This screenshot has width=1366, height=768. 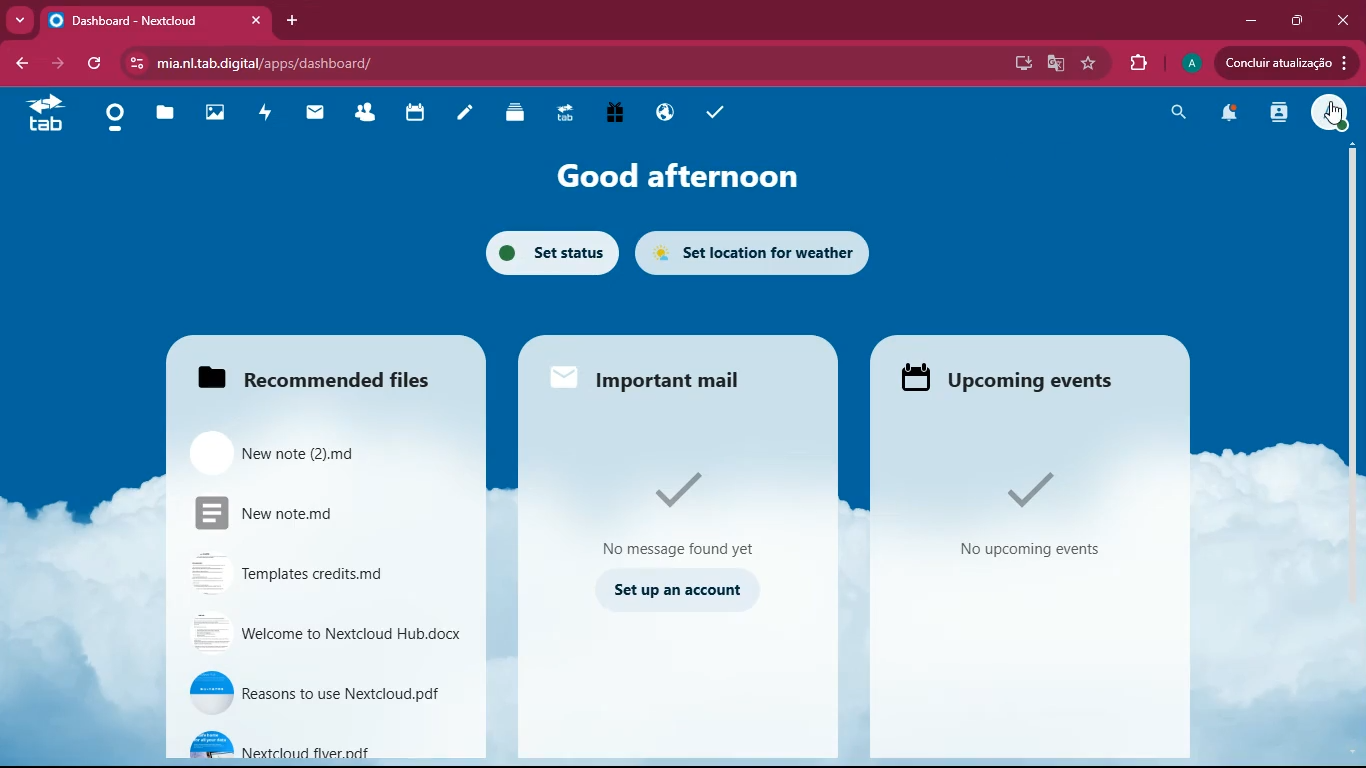 What do you see at coordinates (110, 118) in the screenshot?
I see `home` at bounding box center [110, 118].